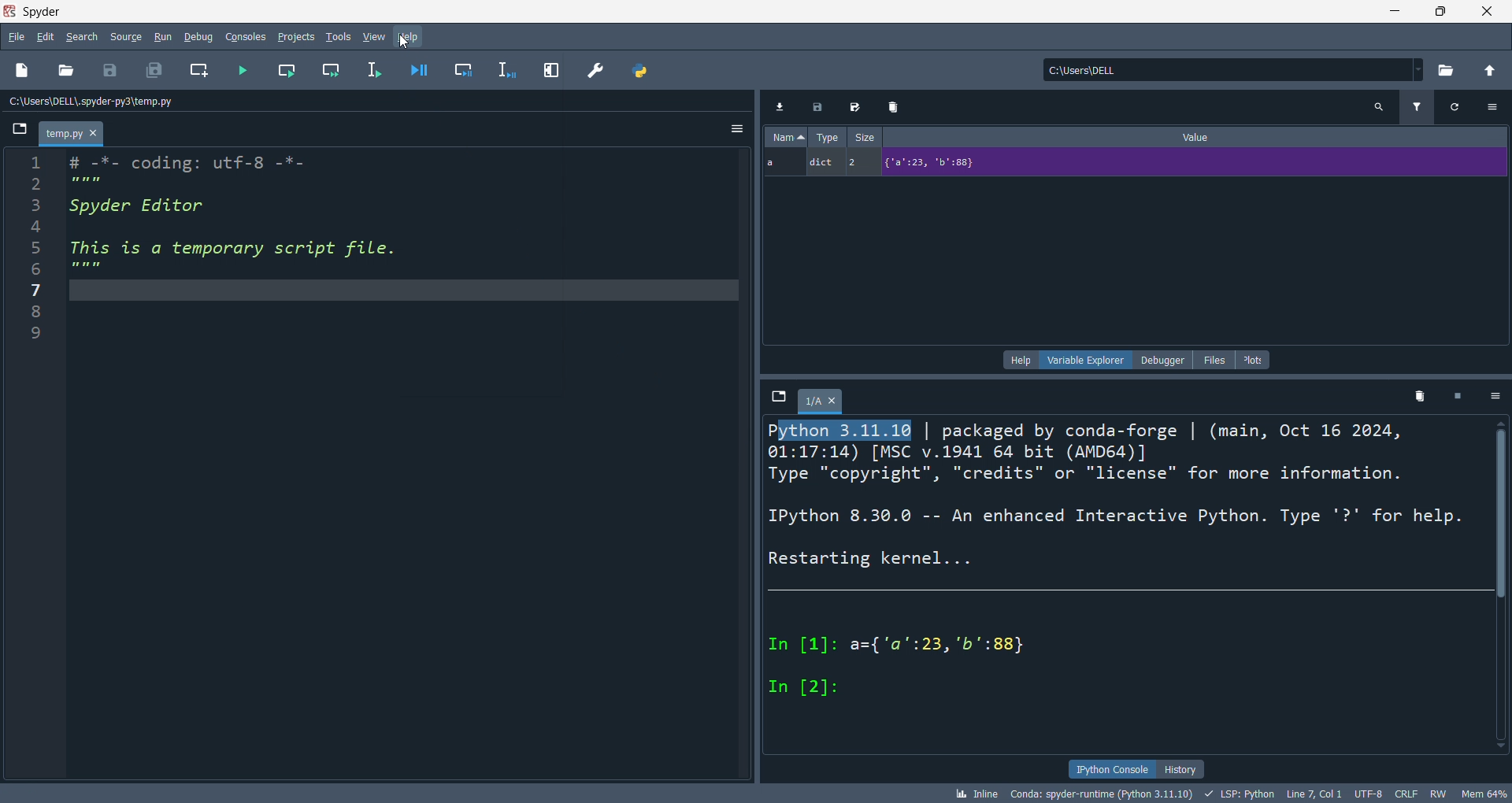 The image size is (1512, 803). What do you see at coordinates (1454, 107) in the screenshot?
I see `Refresh` at bounding box center [1454, 107].